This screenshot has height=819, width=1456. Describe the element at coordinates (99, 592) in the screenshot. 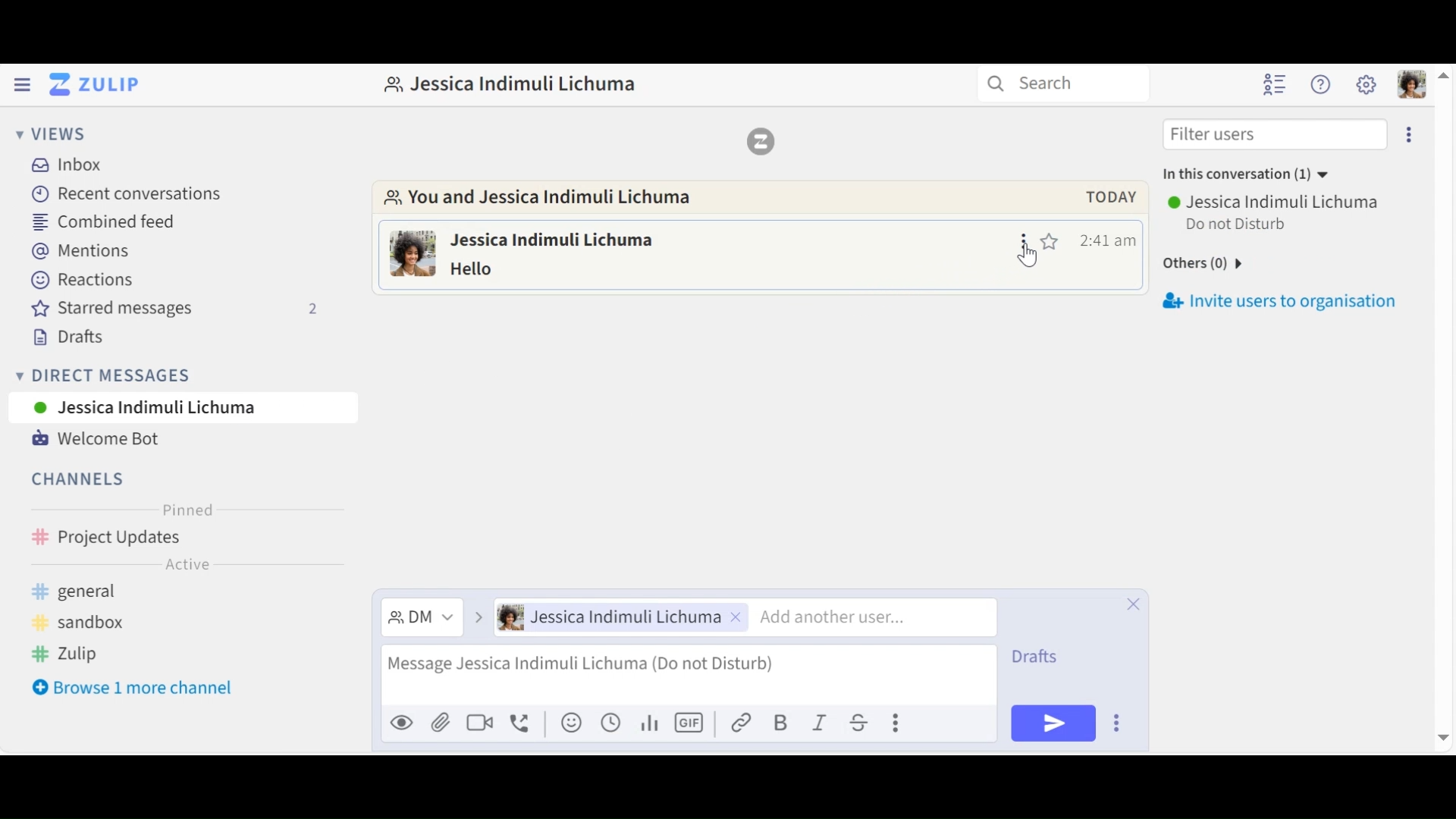

I see `general` at that location.